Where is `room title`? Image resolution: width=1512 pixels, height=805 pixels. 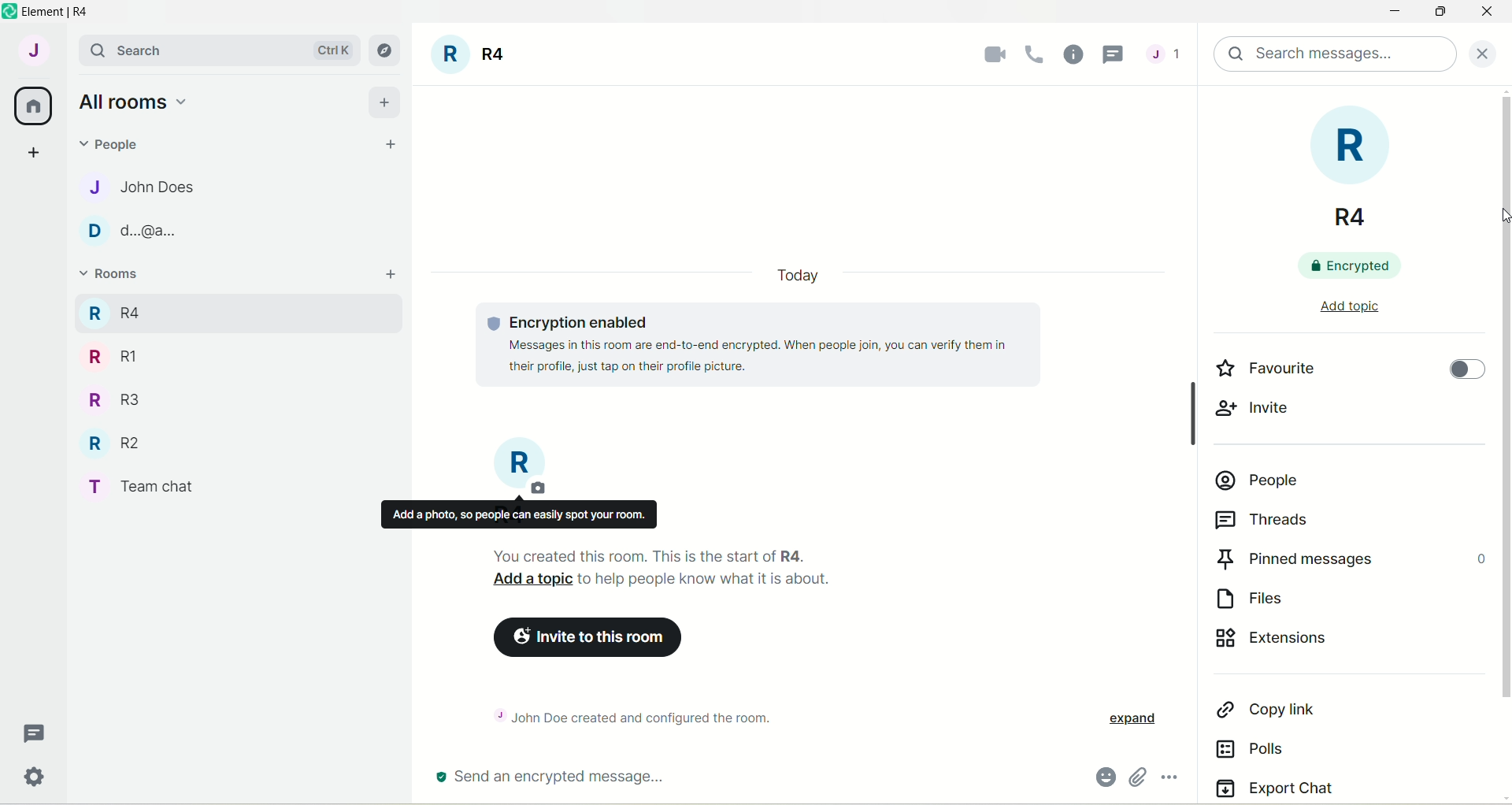 room title is located at coordinates (1354, 176).